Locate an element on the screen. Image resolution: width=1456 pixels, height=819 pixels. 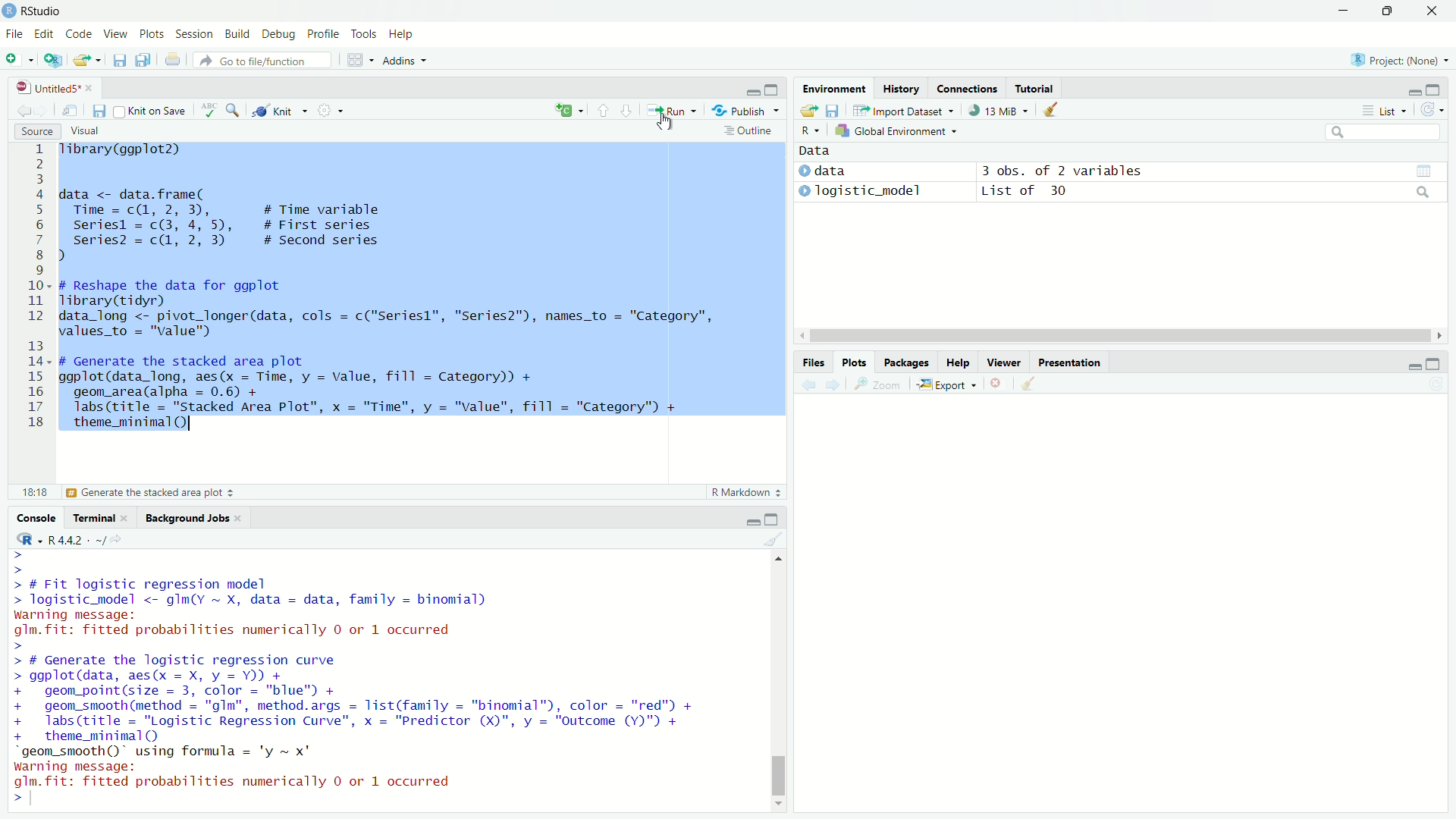
minimise is located at coordinates (1341, 11).